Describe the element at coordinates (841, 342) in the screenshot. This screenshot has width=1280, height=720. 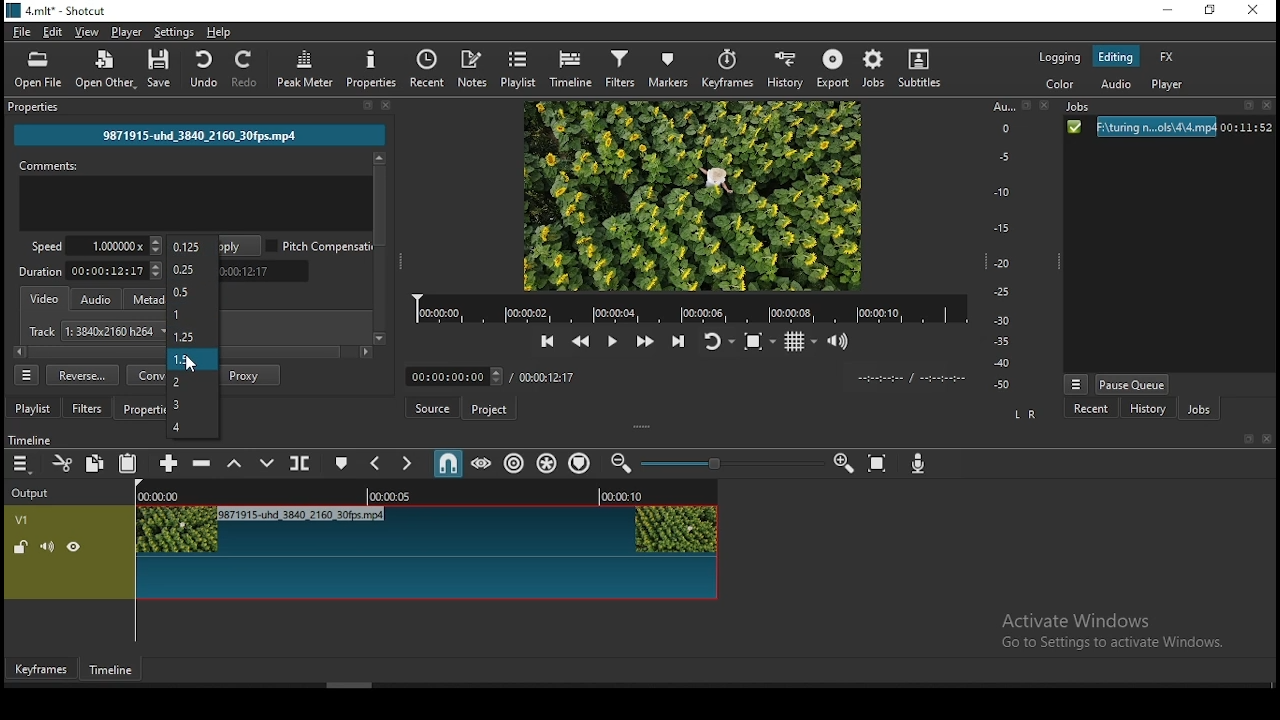
I see `show volume control` at that location.